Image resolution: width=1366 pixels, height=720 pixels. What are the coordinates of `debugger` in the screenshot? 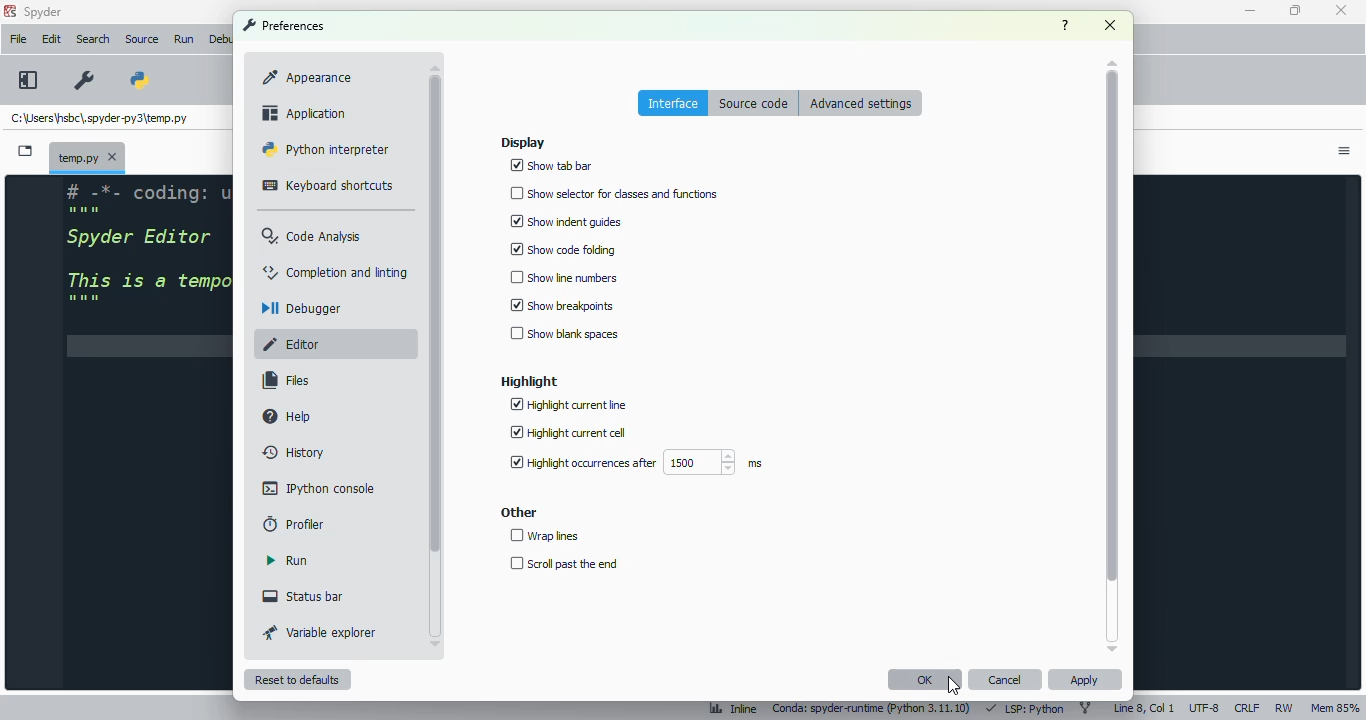 It's located at (301, 308).